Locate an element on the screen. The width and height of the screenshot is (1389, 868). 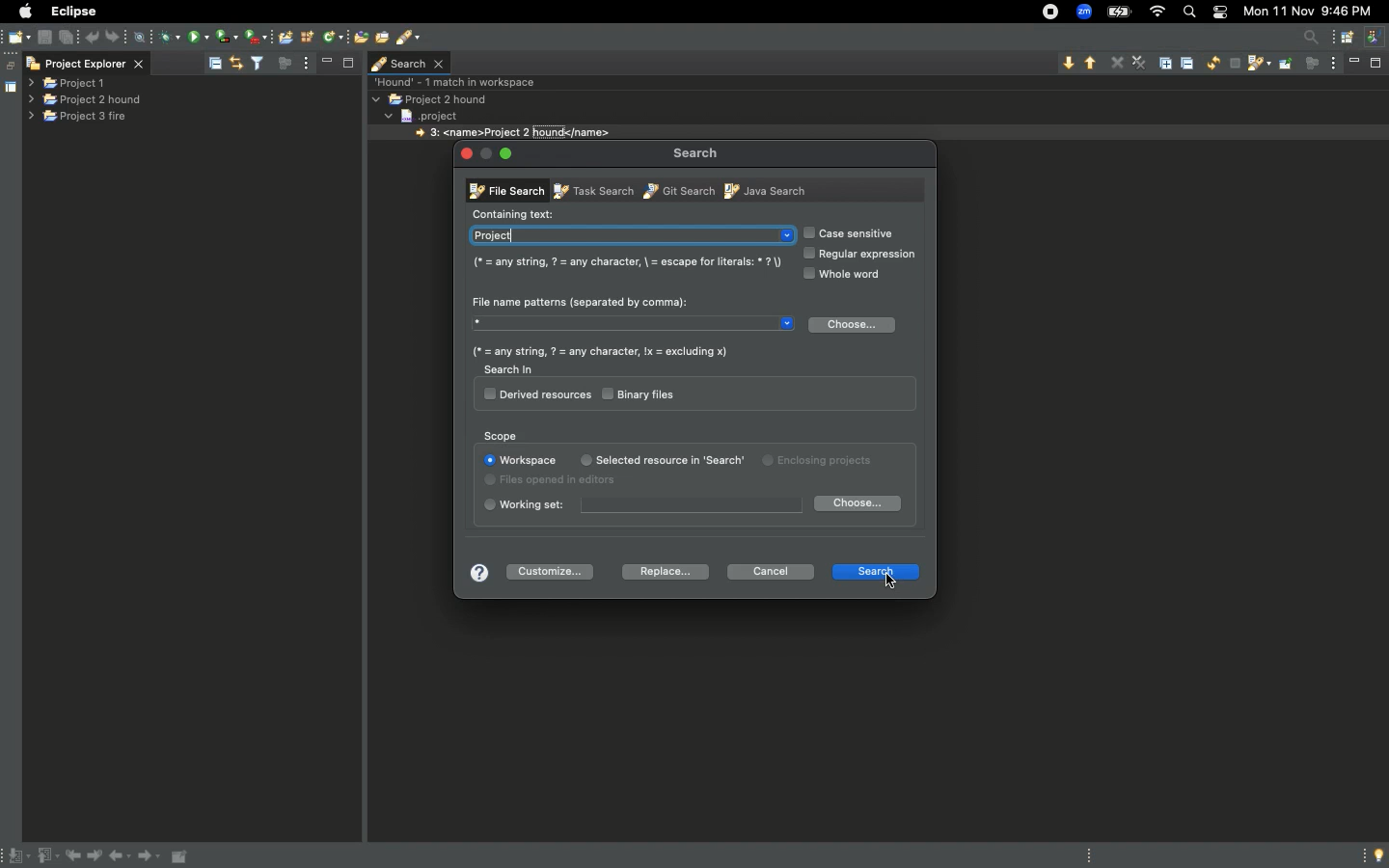
Files opened in editors is located at coordinates (559, 481).